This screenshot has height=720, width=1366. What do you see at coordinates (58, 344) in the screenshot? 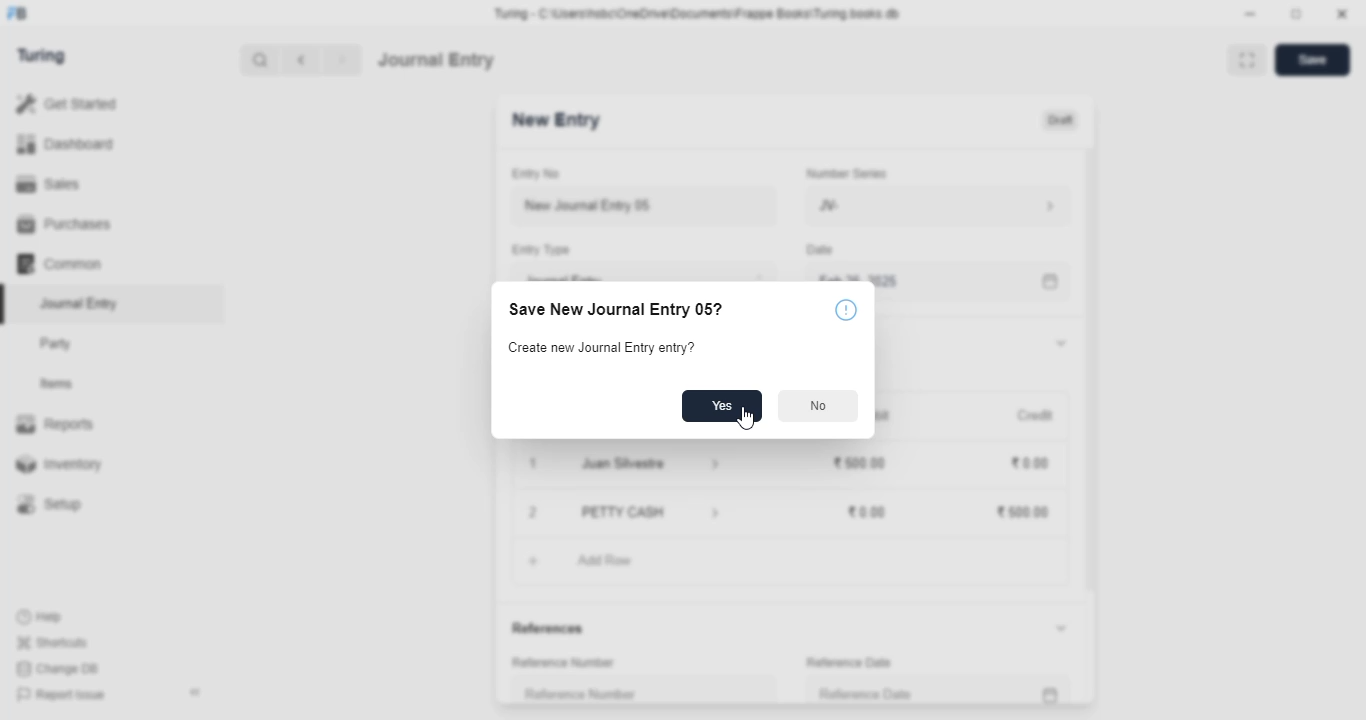
I see `party` at bounding box center [58, 344].